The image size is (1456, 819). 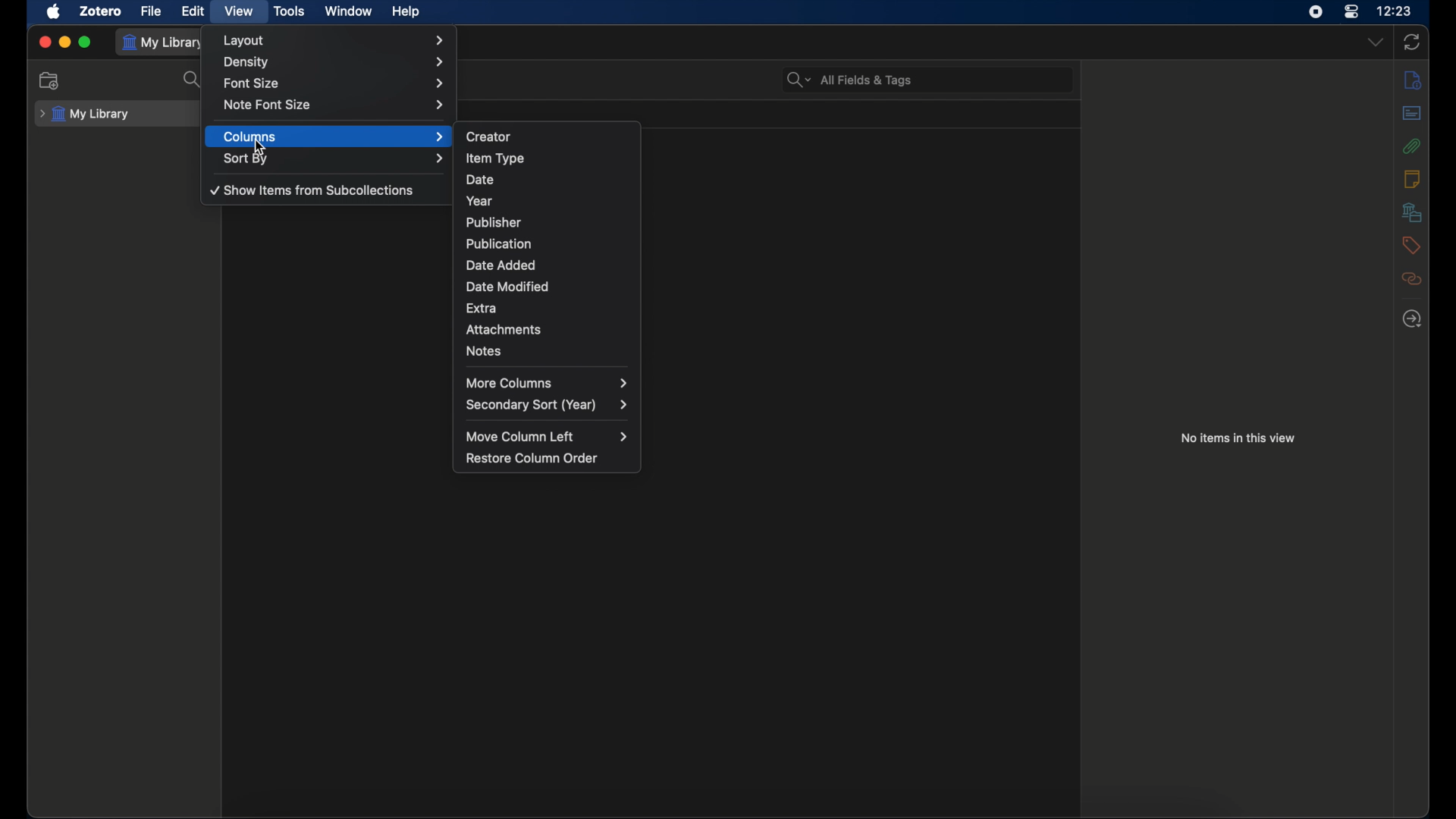 What do you see at coordinates (333, 84) in the screenshot?
I see `font size` at bounding box center [333, 84].